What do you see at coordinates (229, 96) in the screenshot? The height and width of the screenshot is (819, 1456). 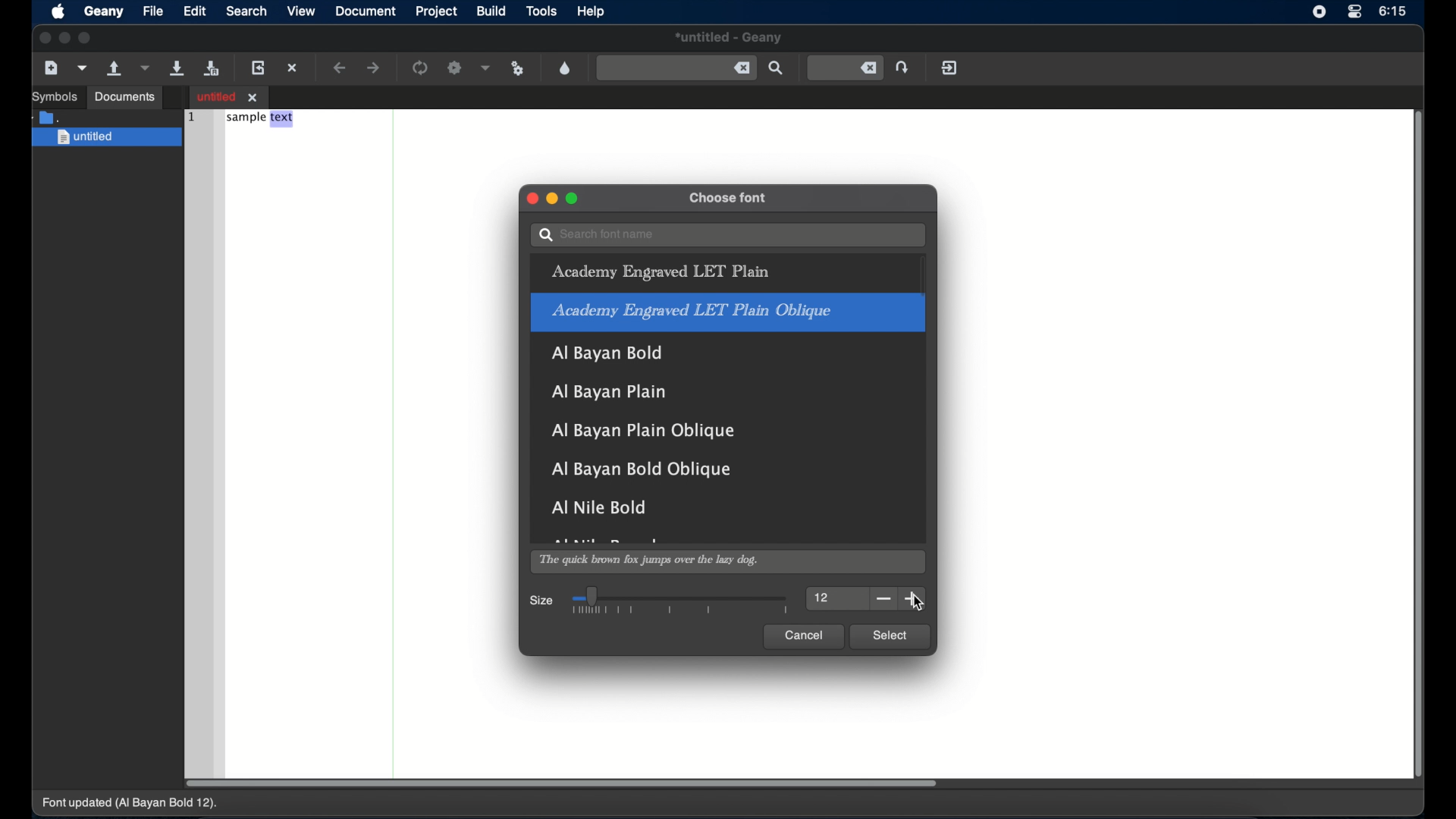 I see `untitled file` at bounding box center [229, 96].